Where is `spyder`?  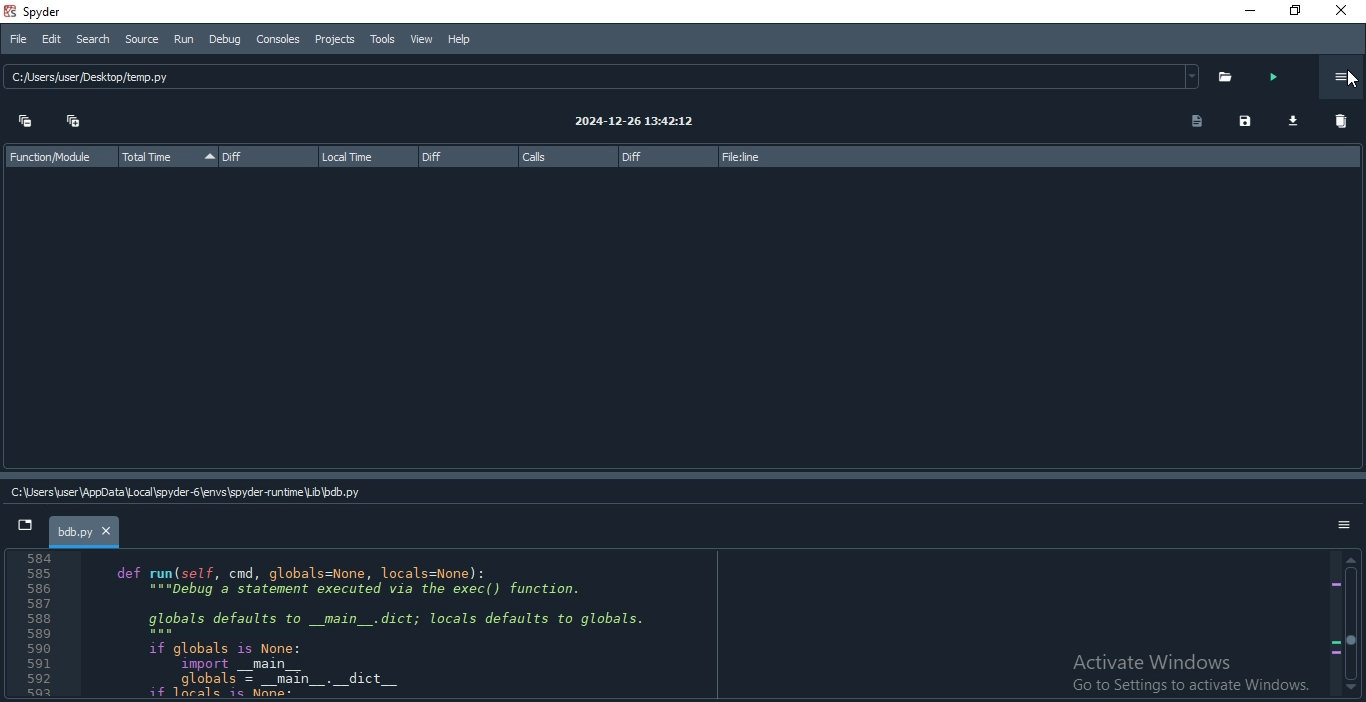 spyder is located at coordinates (46, 11).